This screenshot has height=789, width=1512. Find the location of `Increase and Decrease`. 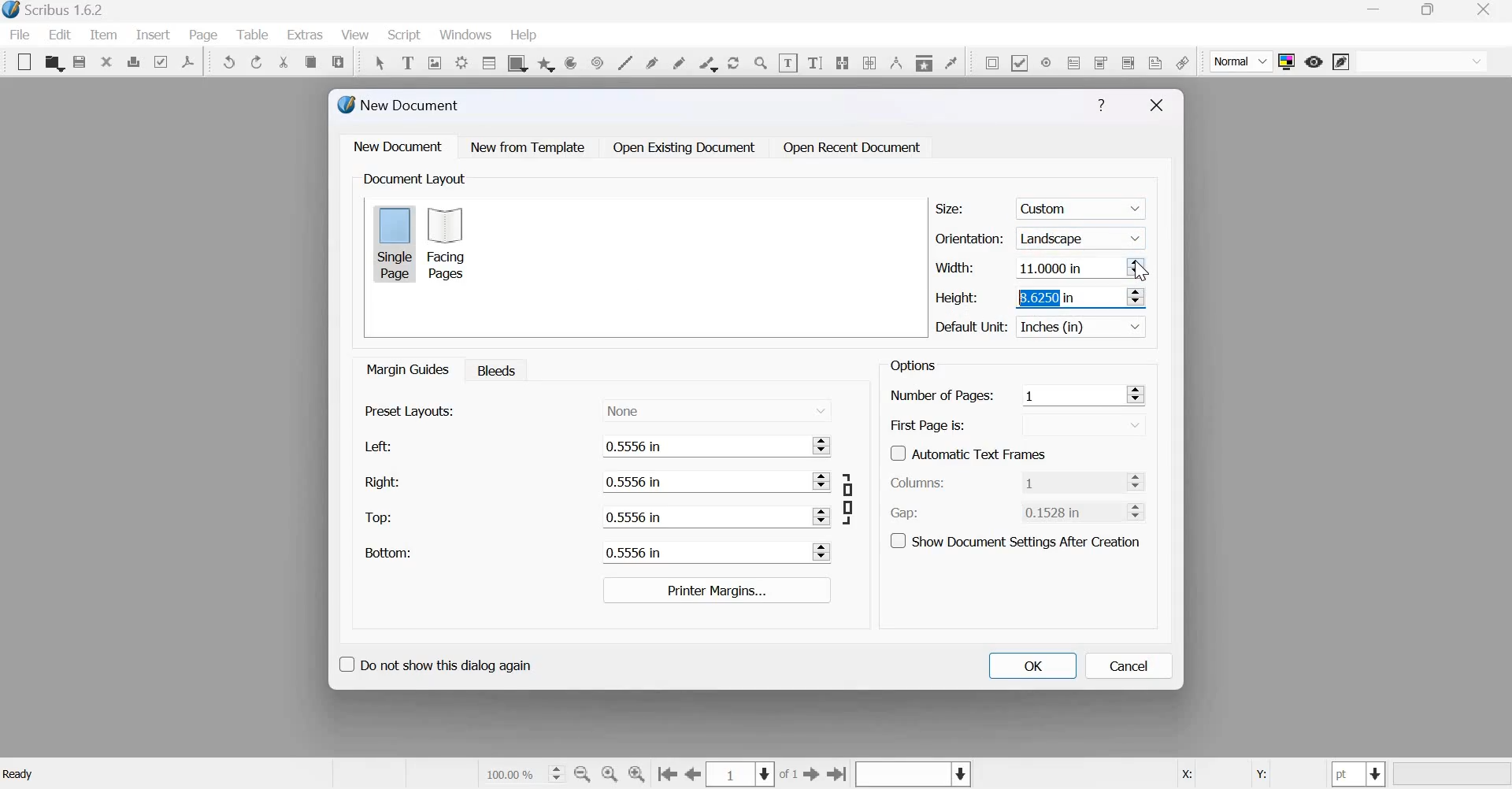

Increase and Decrease is located at coordinates (825, 444).